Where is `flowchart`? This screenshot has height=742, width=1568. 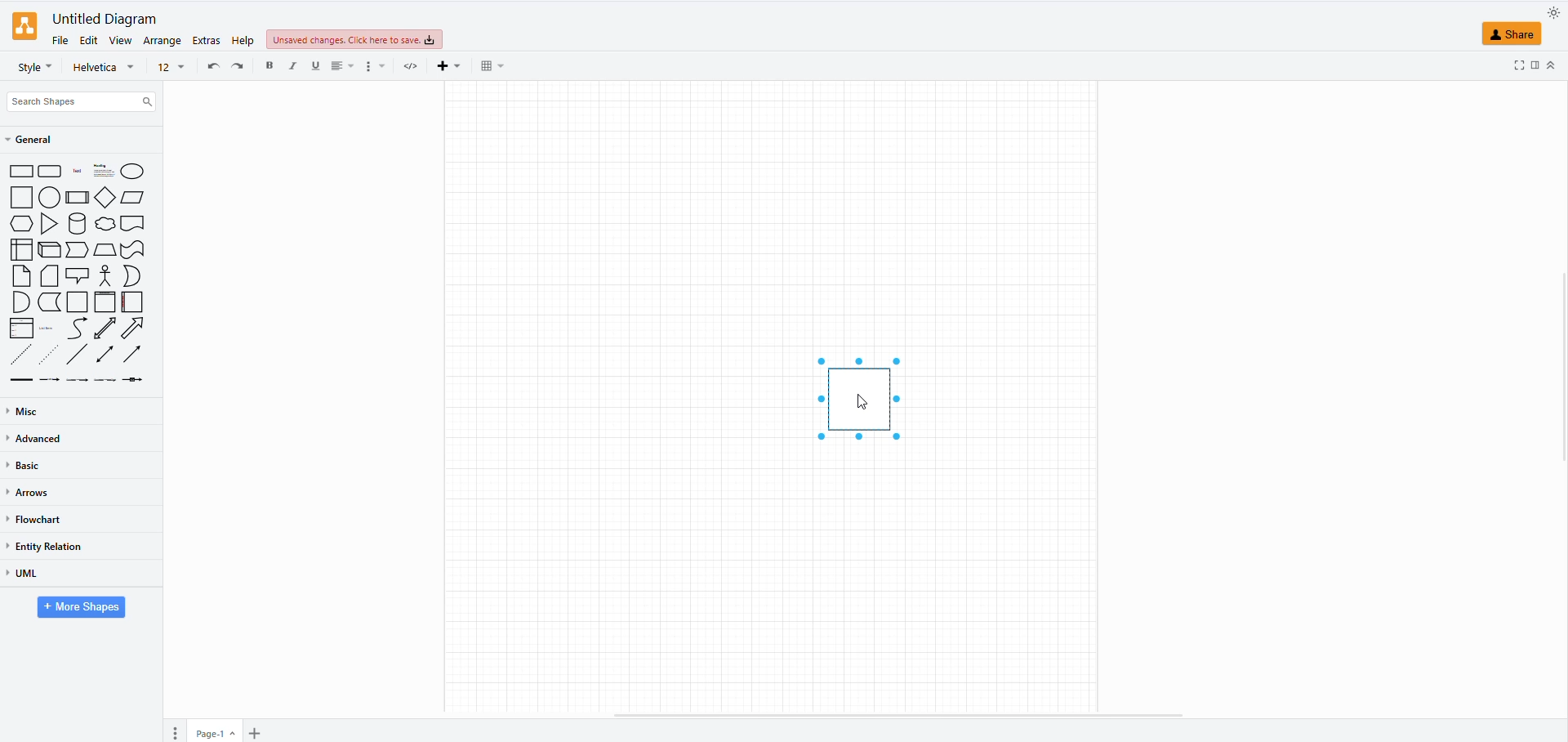
flowchart is located at coordinates (36, 519).